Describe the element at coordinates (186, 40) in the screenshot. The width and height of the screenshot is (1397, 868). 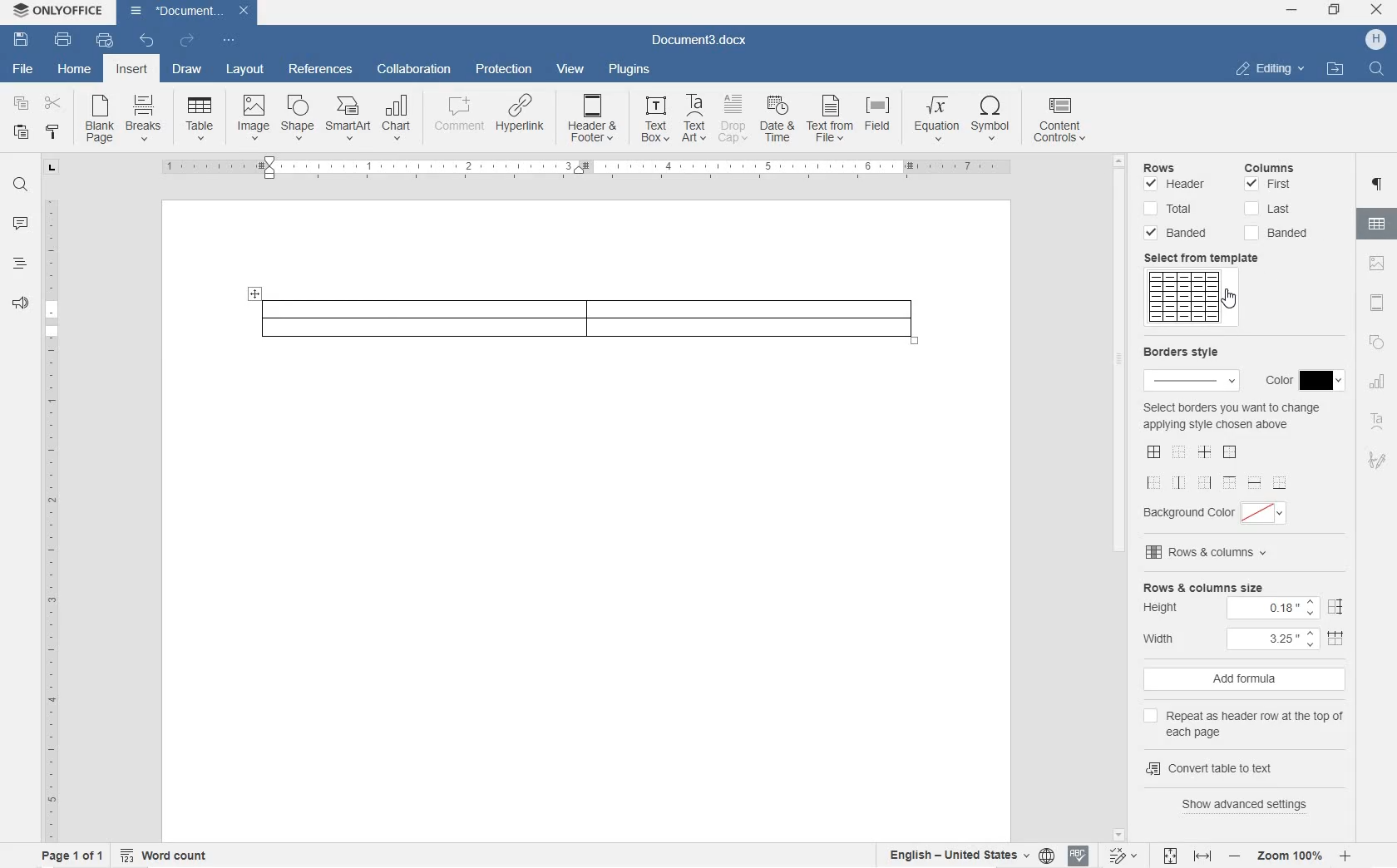
I see `REDO` at that location.